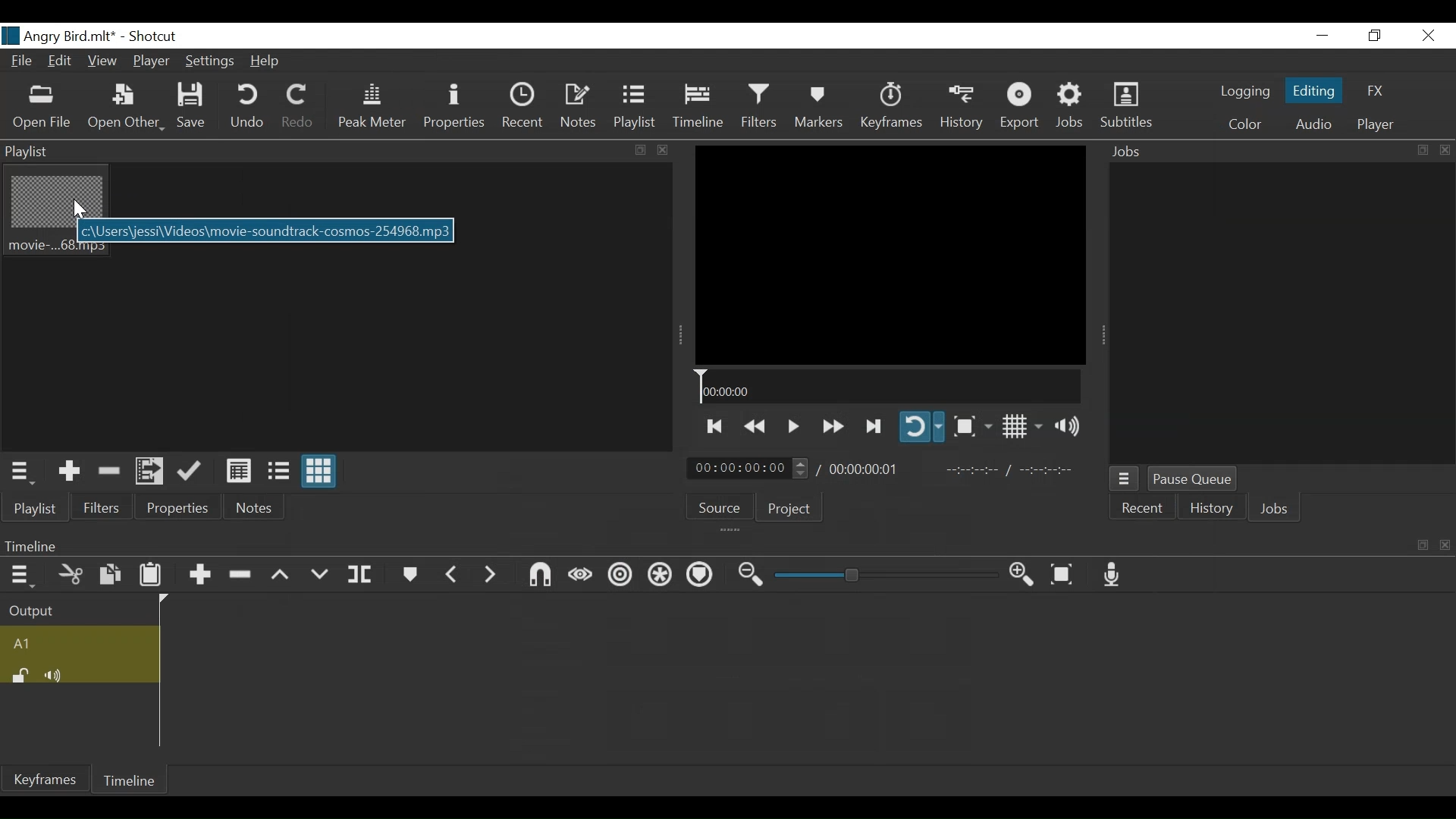  Describe the element at coordinates (581, 575) in the screenshot. I see `Scrub while dragging` at that location.